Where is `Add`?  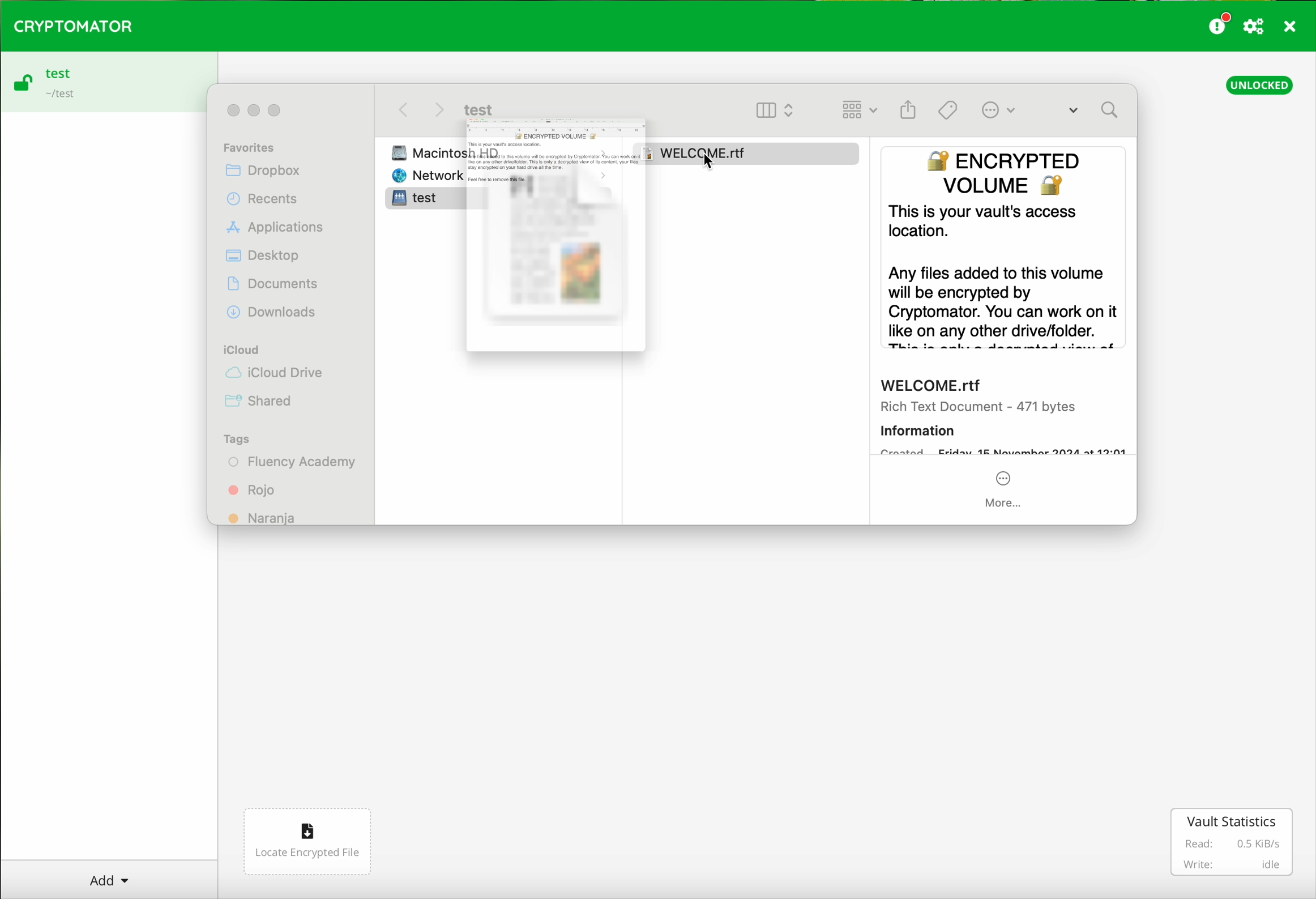 Add is located at coordinates (109, 876).